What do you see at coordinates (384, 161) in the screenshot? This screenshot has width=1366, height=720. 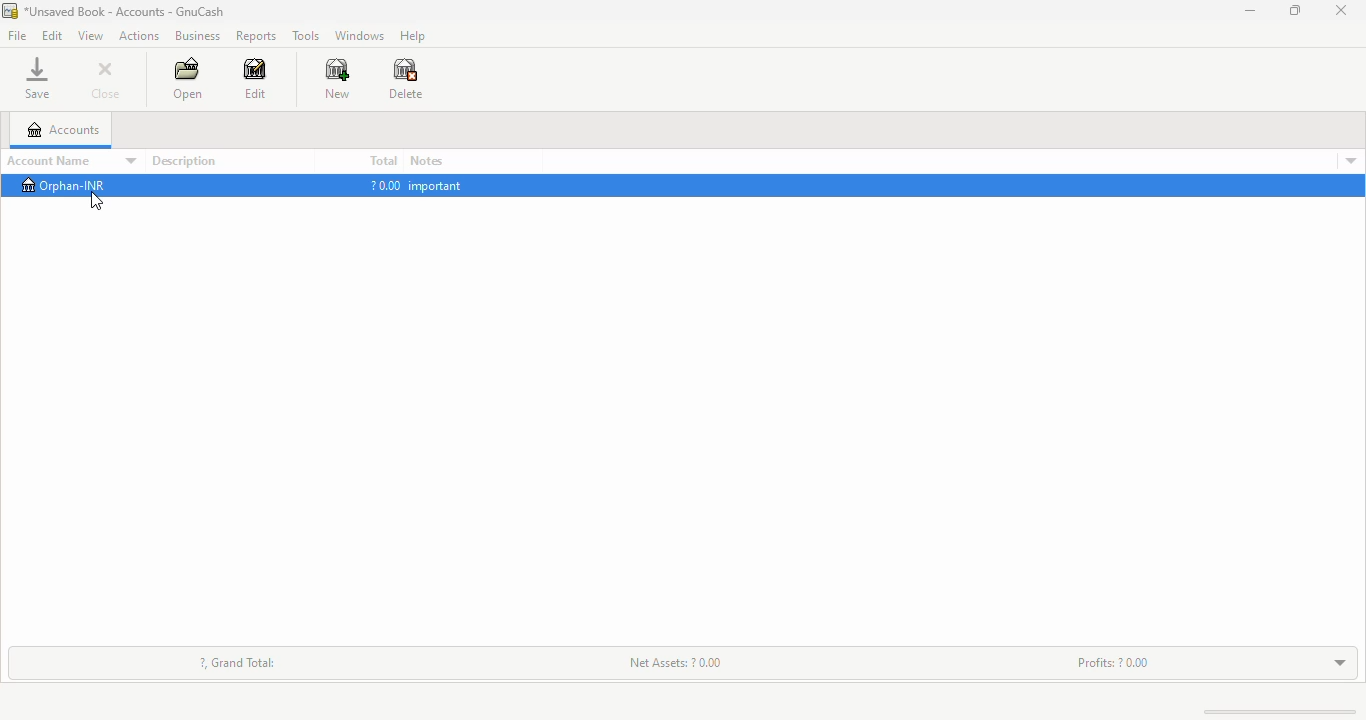 I see `total` at bounding box center [384, 161].